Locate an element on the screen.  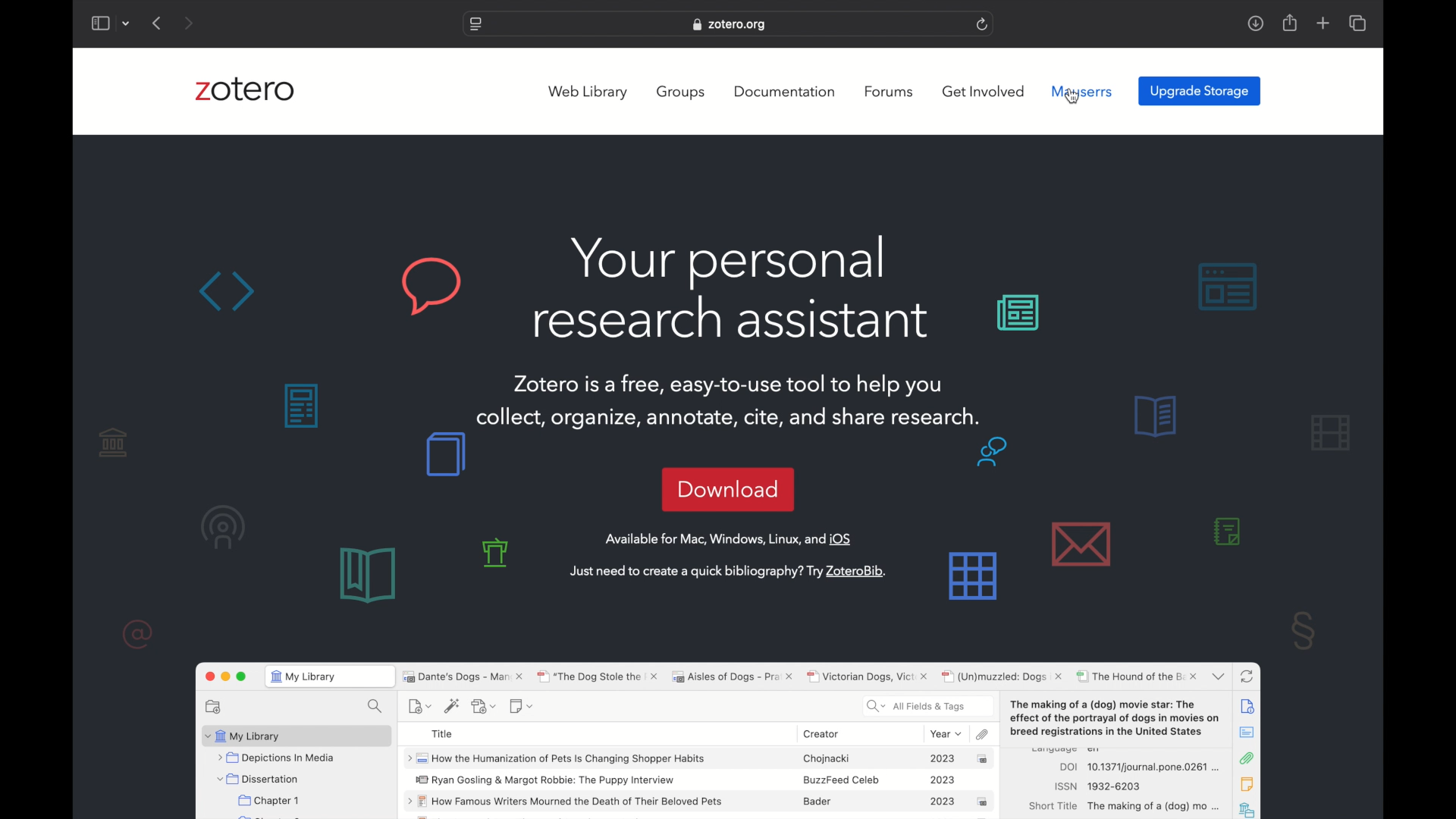
previous is located at coordinates (158, 23).